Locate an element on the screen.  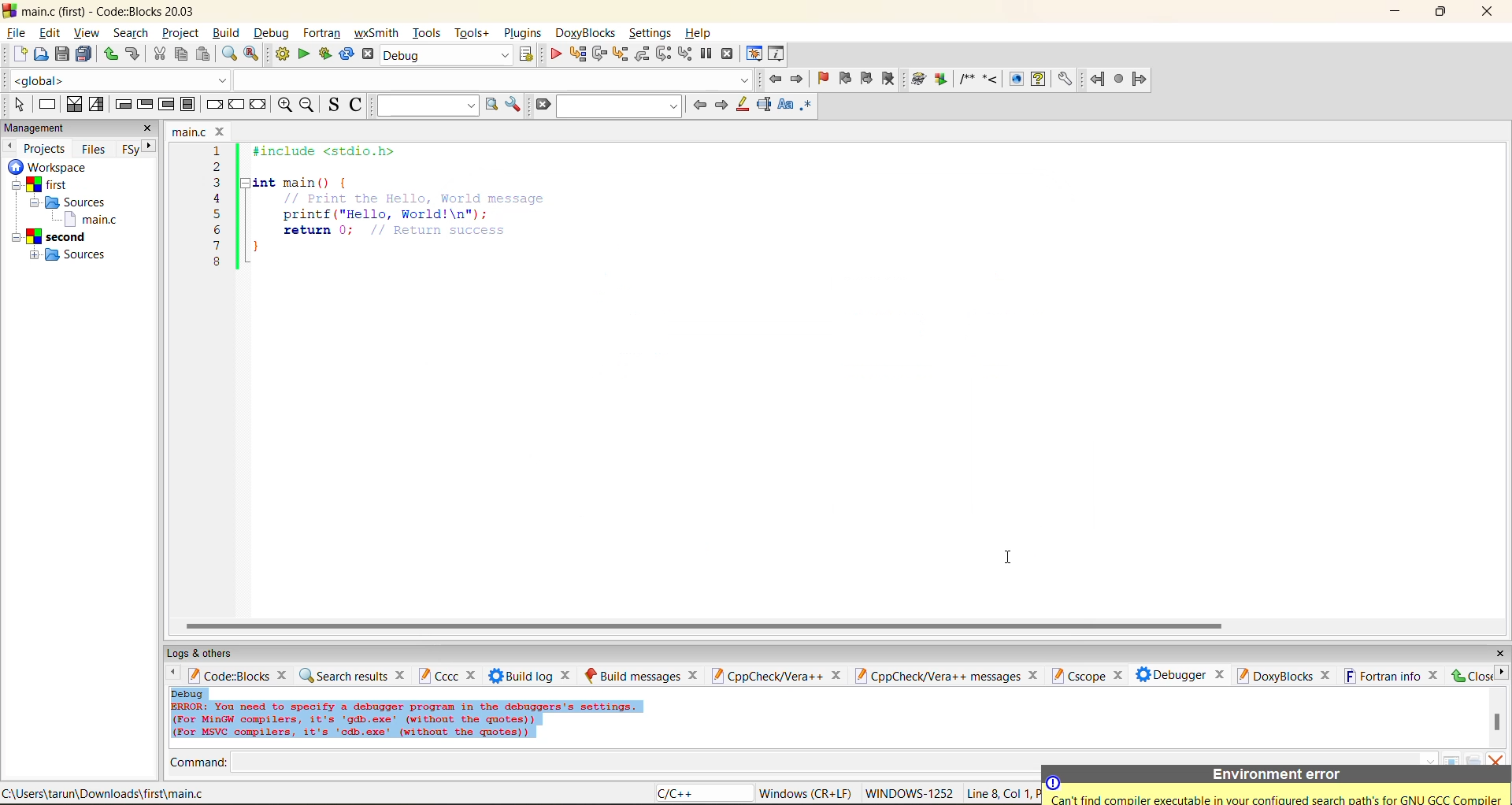
cursor is located at coordinates (1006, 555).